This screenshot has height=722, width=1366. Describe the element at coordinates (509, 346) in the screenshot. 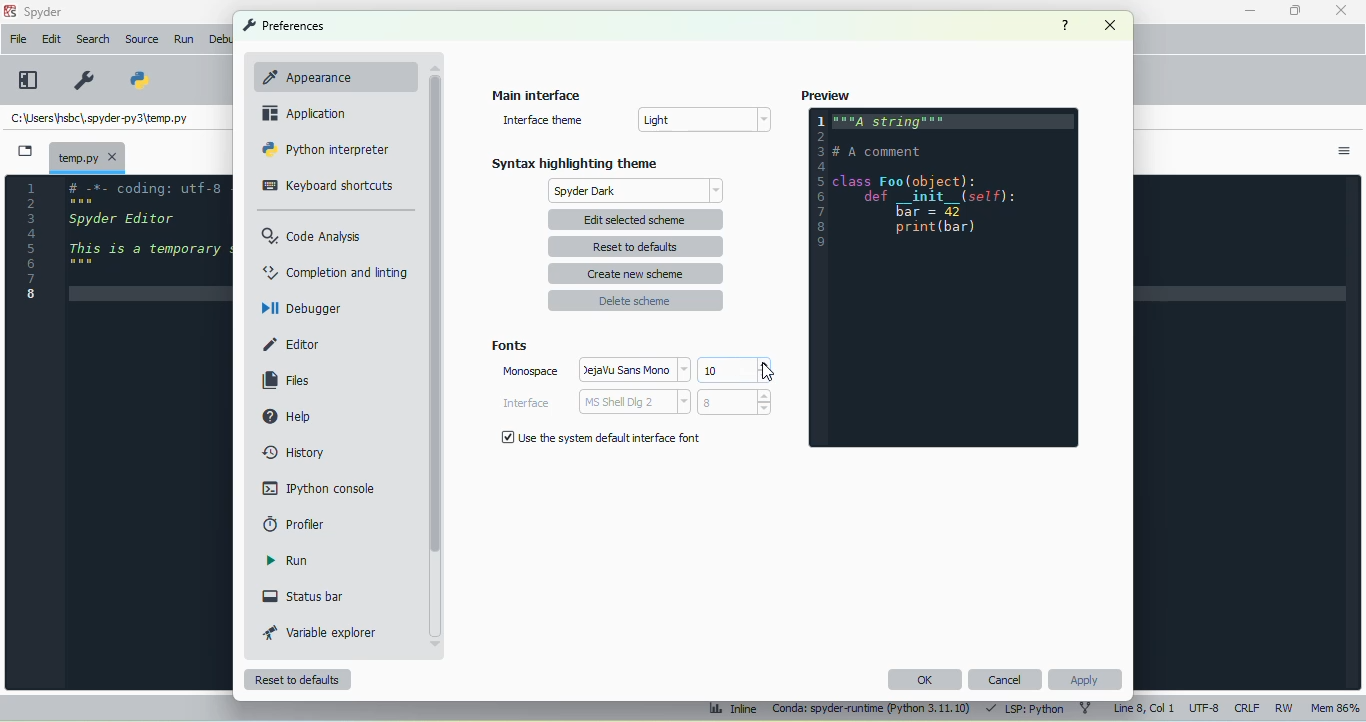

I see `fonts` at that location.